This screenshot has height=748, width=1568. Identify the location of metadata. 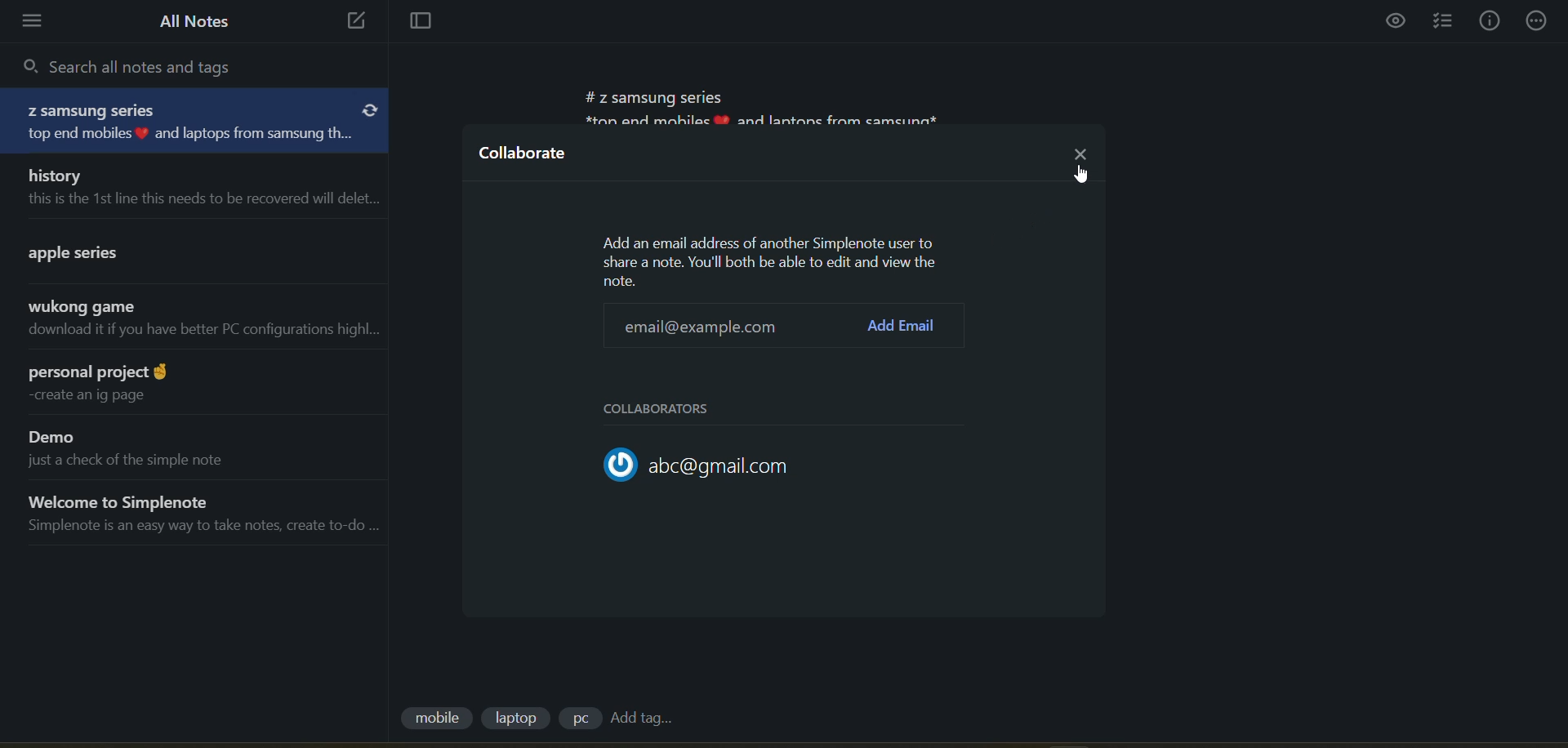
(773, 260).